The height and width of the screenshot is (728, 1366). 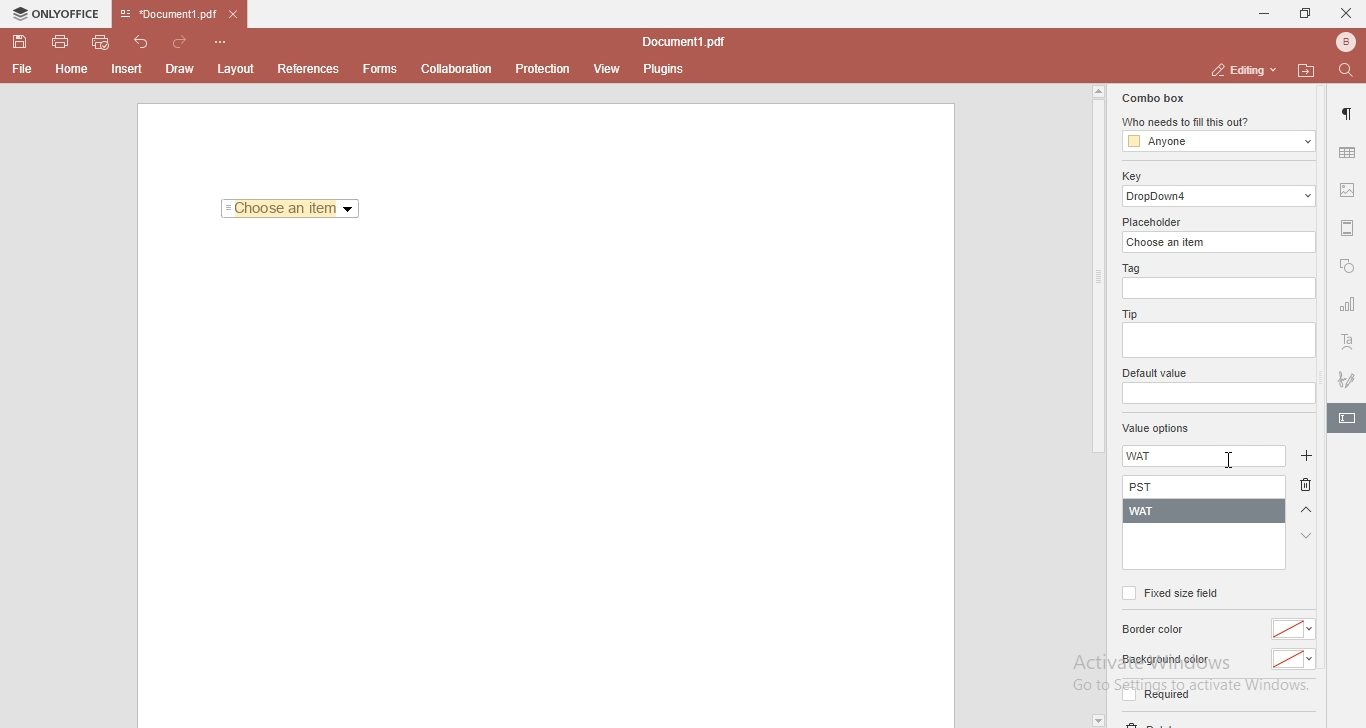 What do you see at coordinates (1155, 222) in the screenshot?
I see `placeholder` at bounding box center [1155, 222].